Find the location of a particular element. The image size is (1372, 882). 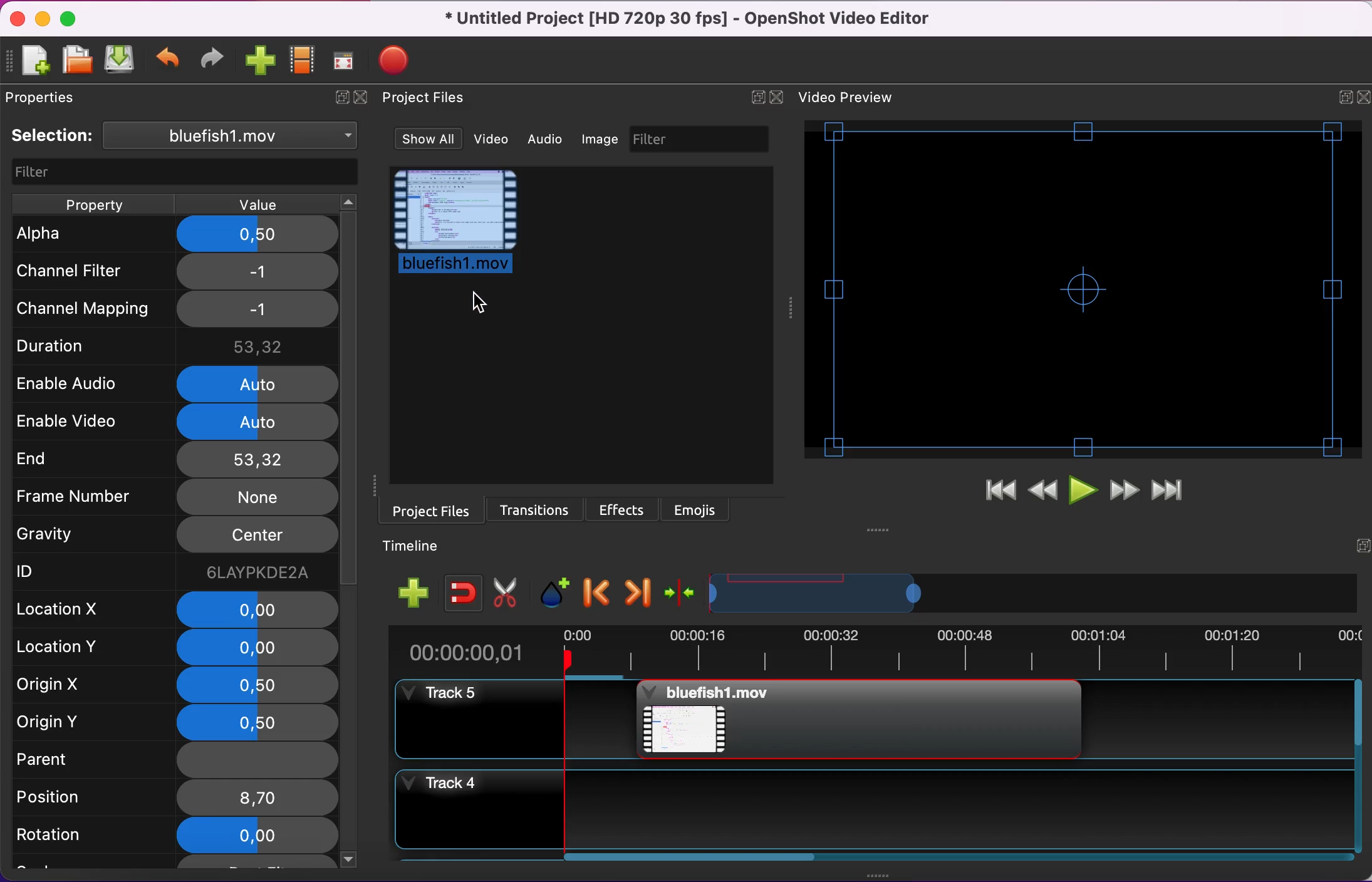

ID is located at coordinates (67, 573).